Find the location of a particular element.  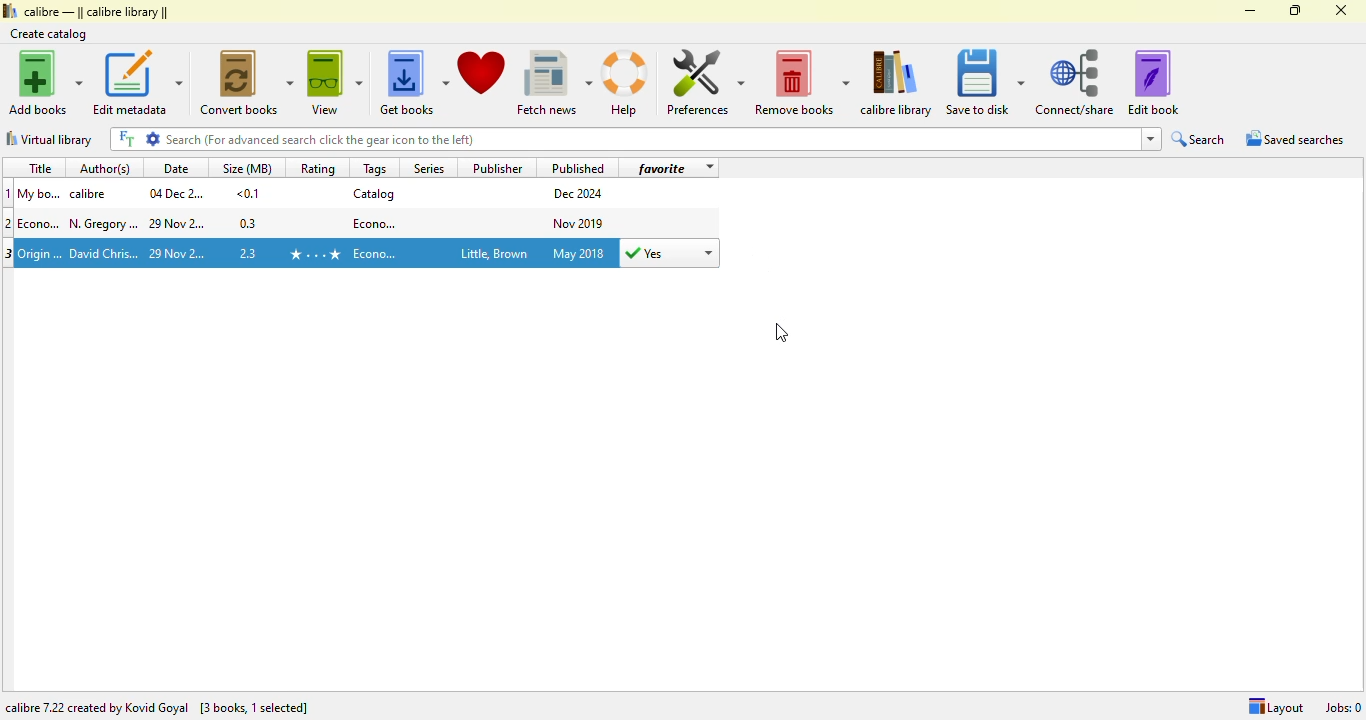

author(s) is located at coordinates (108, 167).